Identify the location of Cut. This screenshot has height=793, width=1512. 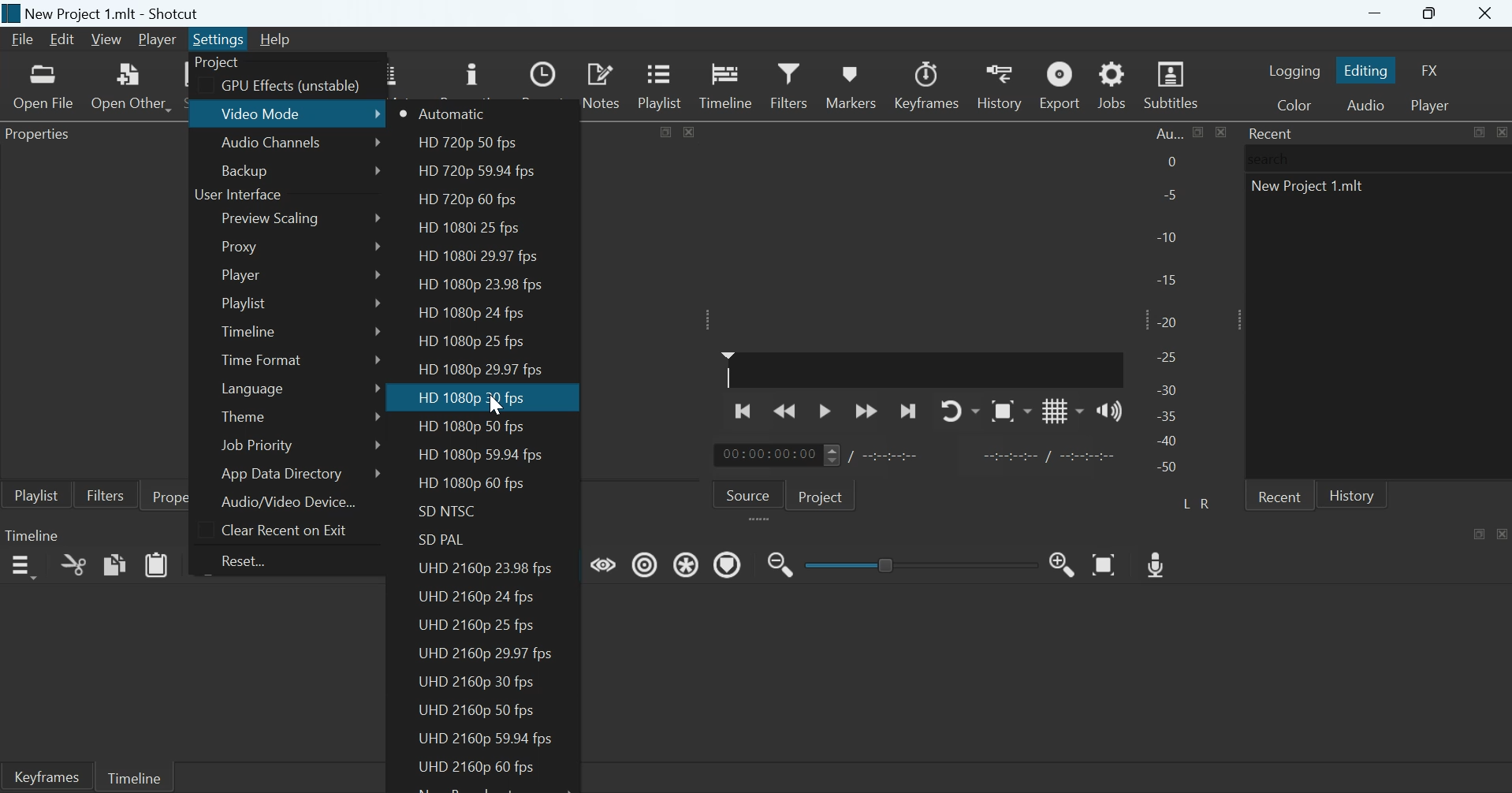
(73, 564).